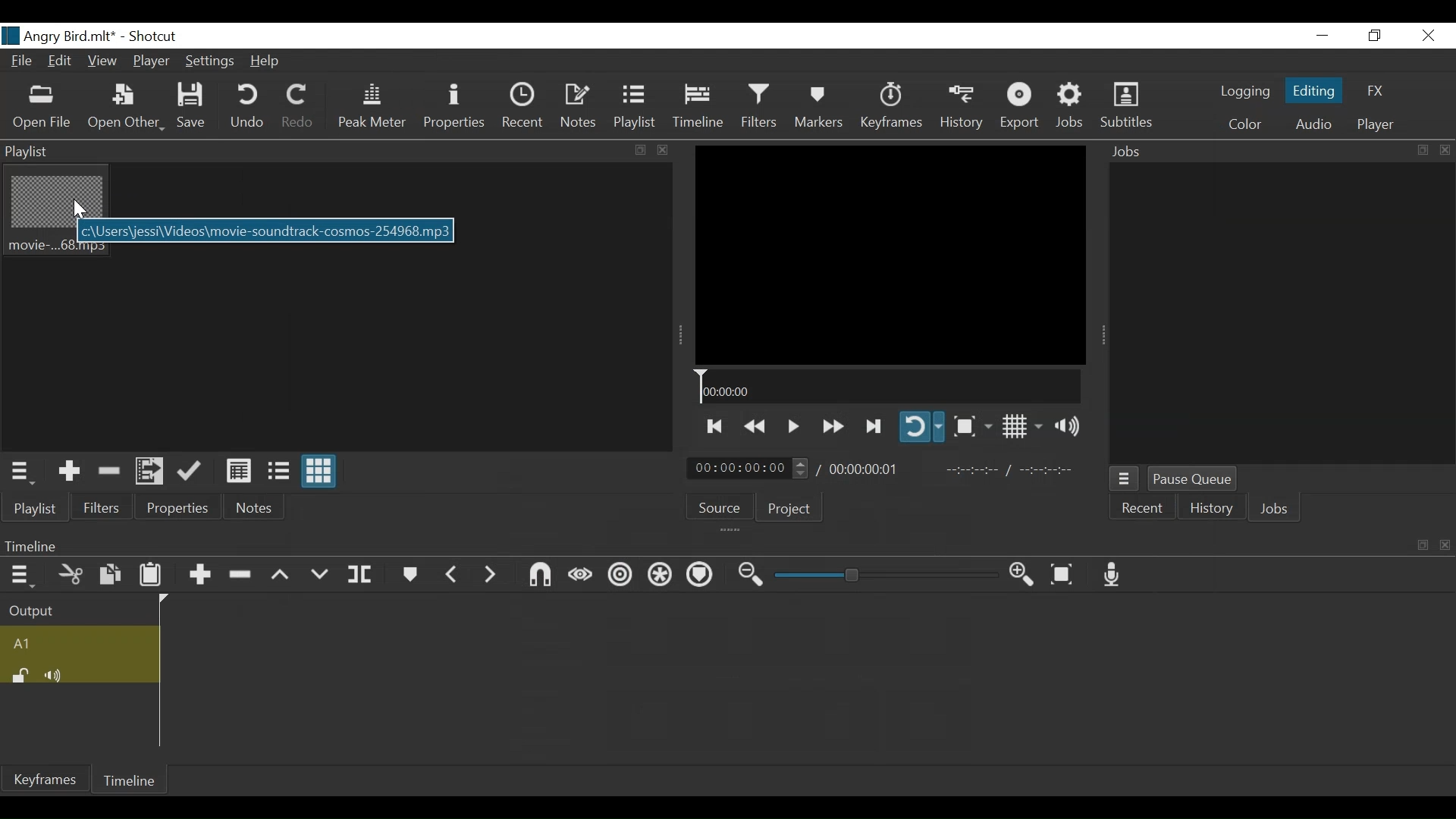  What do you see at coordinates (1375, 36) in the screenshot?
I see `Restore` at bounding box center [1375, 36].